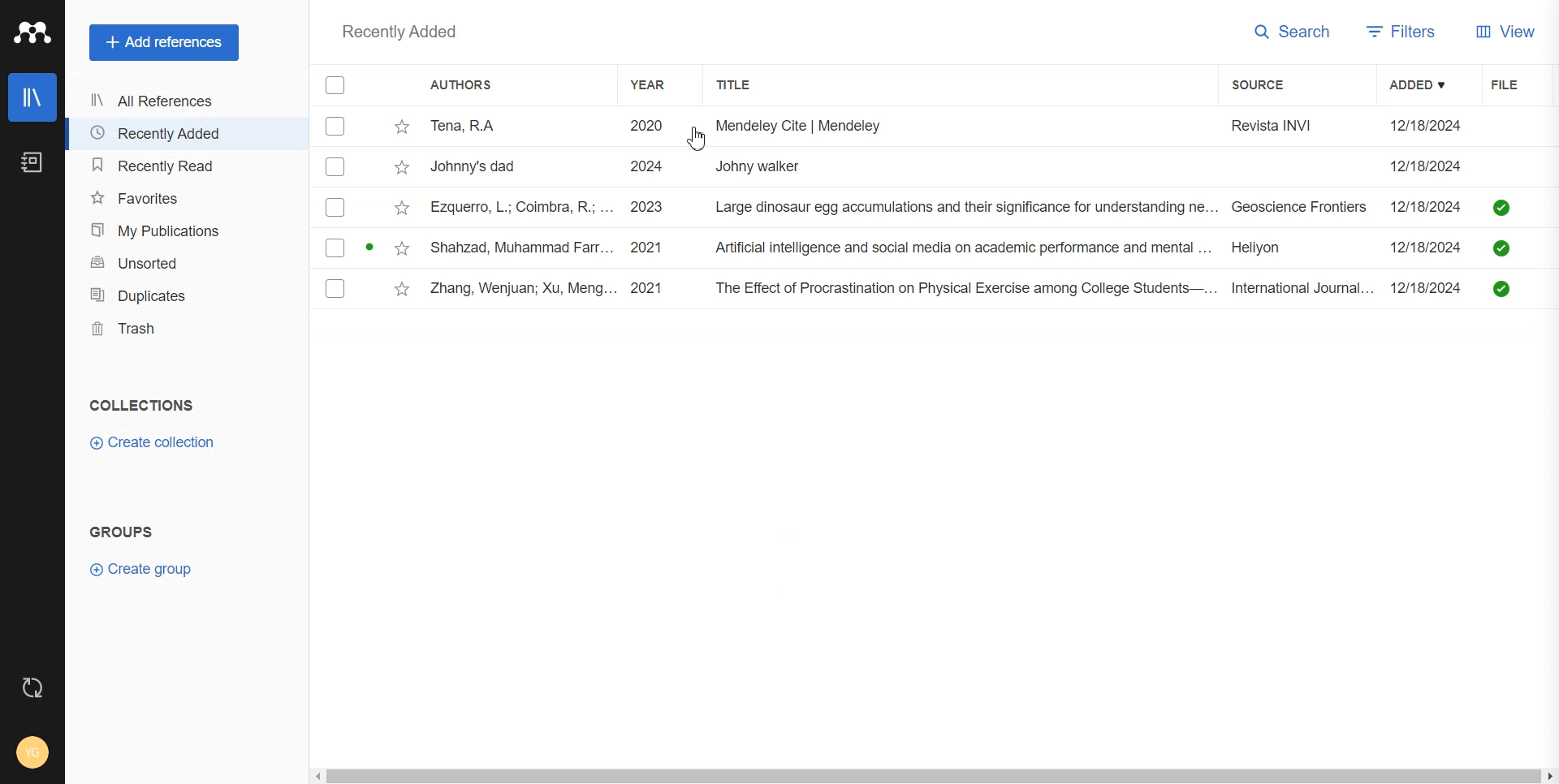  What do you see at coordinates (934, 777) in the screenshot?
I see `Horizontal scroll bar` at bounding box center [934, 777].